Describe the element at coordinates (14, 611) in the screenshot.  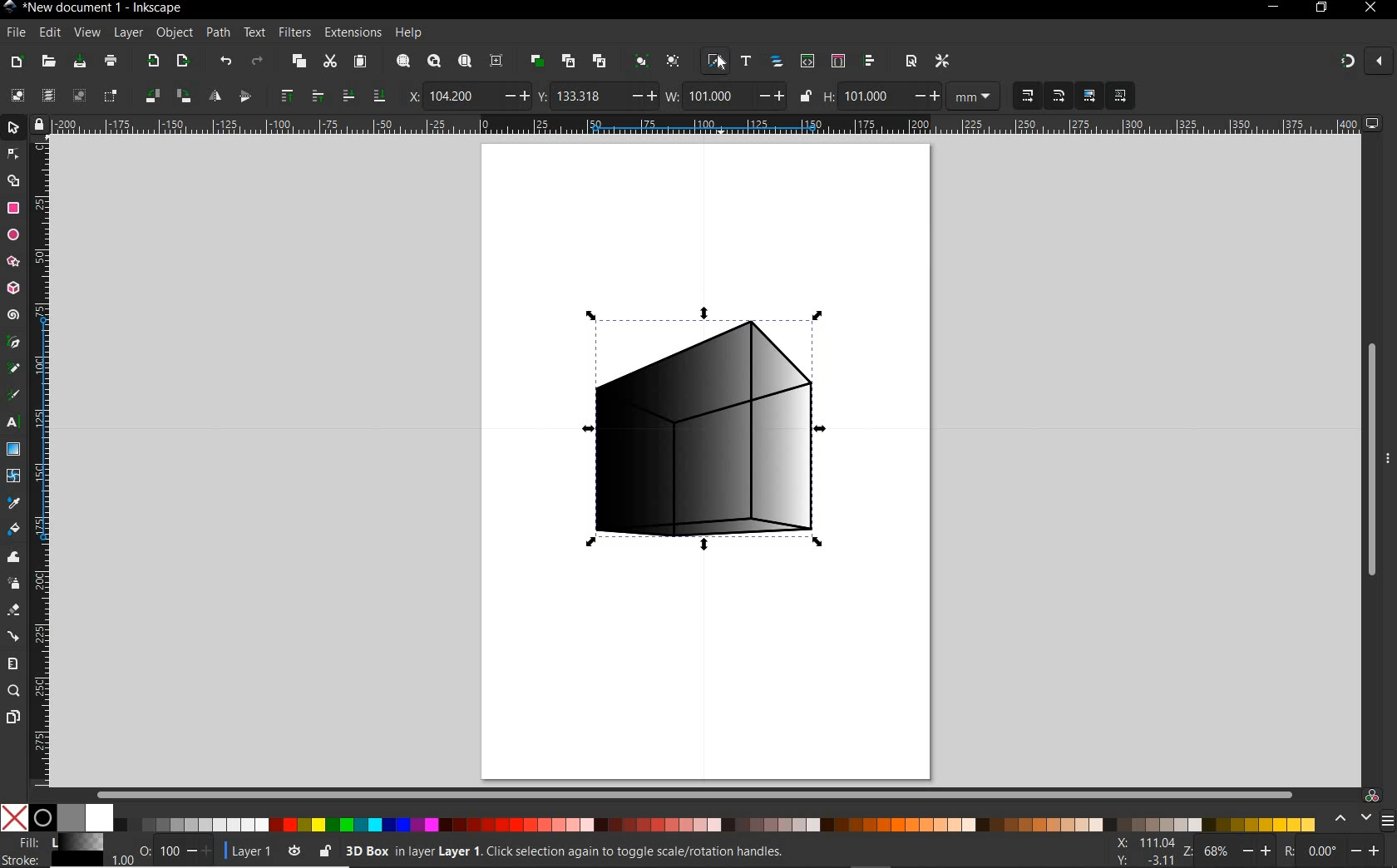
I see `ERASER TOOL` at that location.